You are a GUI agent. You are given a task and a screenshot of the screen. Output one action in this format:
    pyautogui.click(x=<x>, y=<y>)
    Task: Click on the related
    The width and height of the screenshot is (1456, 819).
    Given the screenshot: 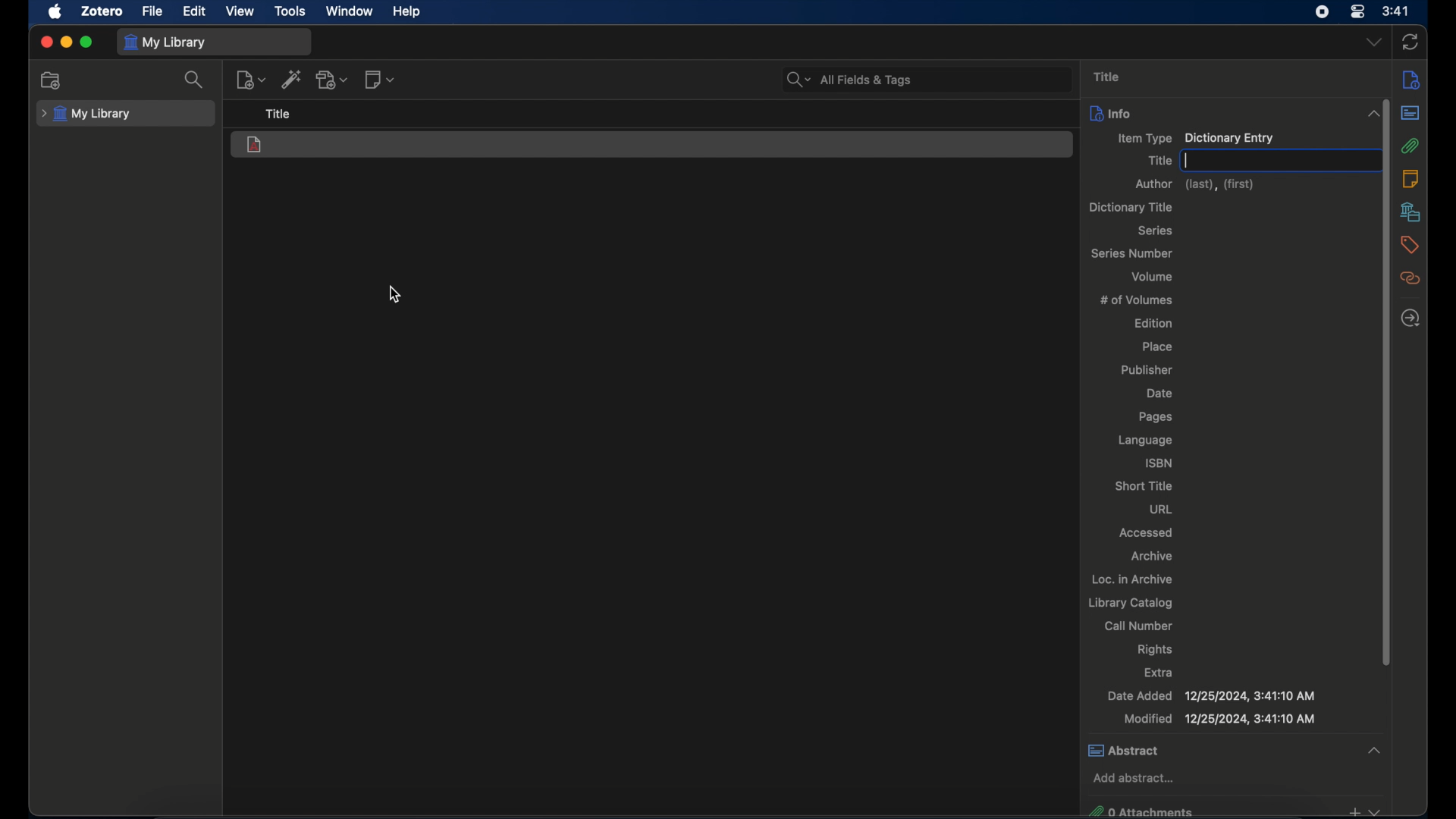 What is the action you would take?
    pyautogui.click(x=1411, y=278)
    